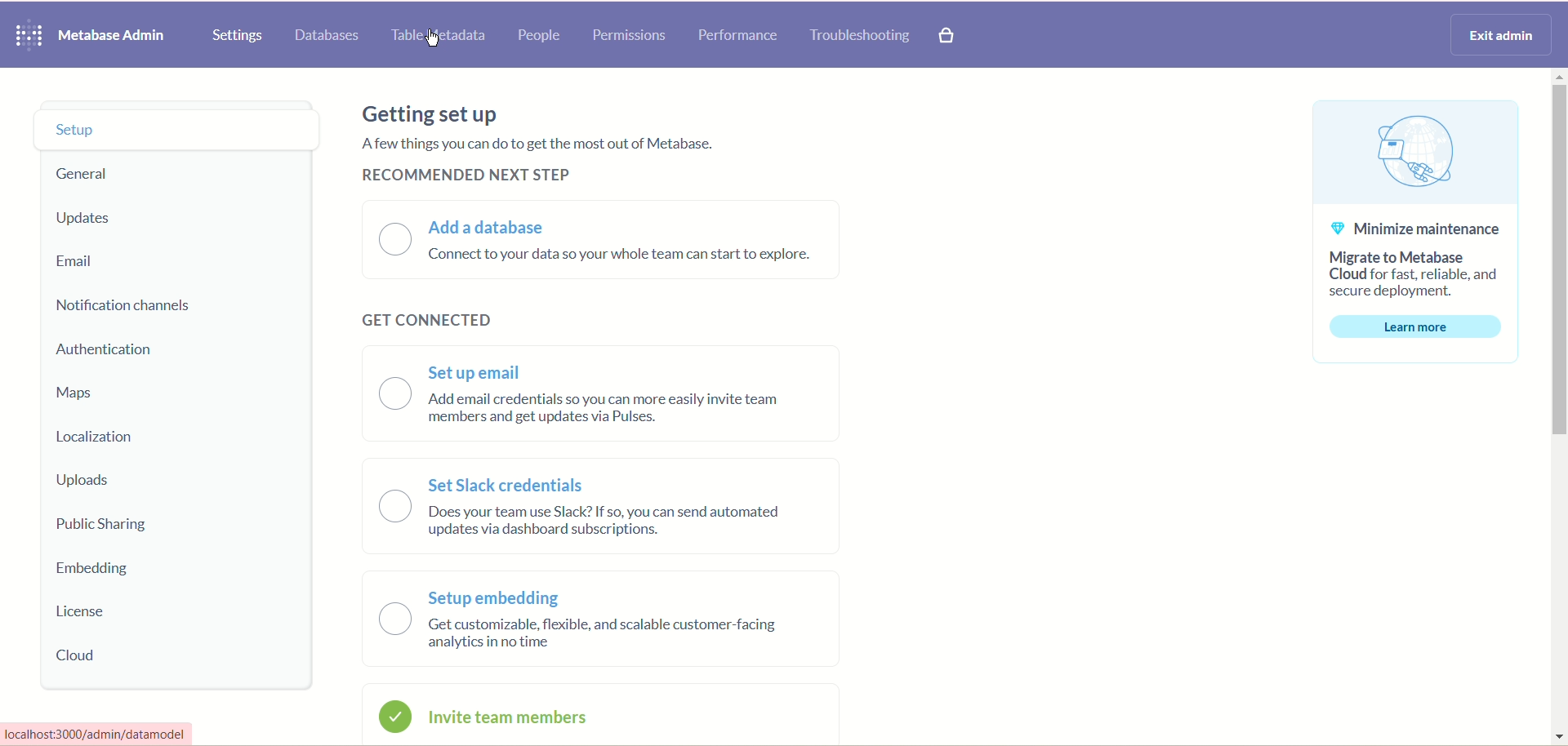 This screenshot has width=1568, height=746. What do you see at coordinates (434, 37) in the screenshot?
I see `table metadata` at bounding box center [434, 37].